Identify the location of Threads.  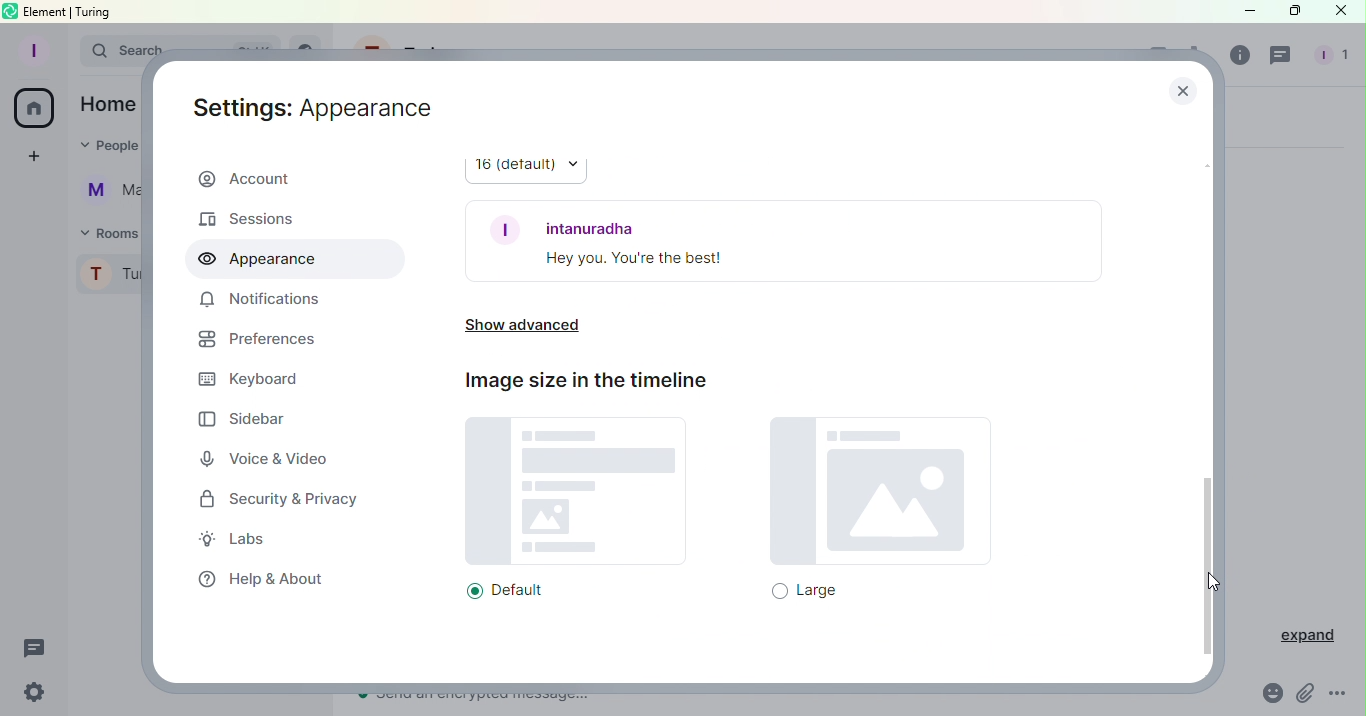
(34, 645).